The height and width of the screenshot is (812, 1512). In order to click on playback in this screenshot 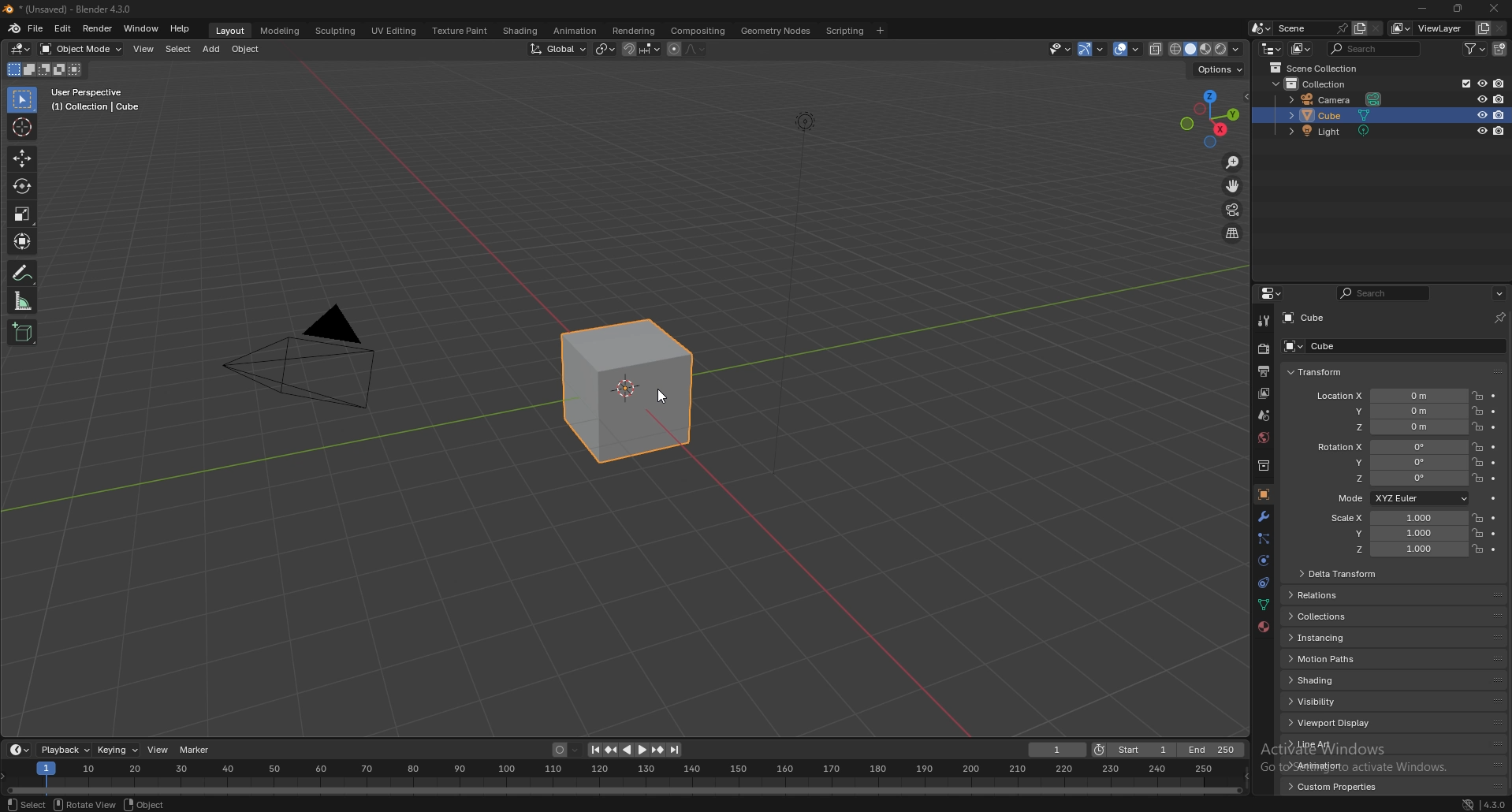, I will do `click(64, 750)`.